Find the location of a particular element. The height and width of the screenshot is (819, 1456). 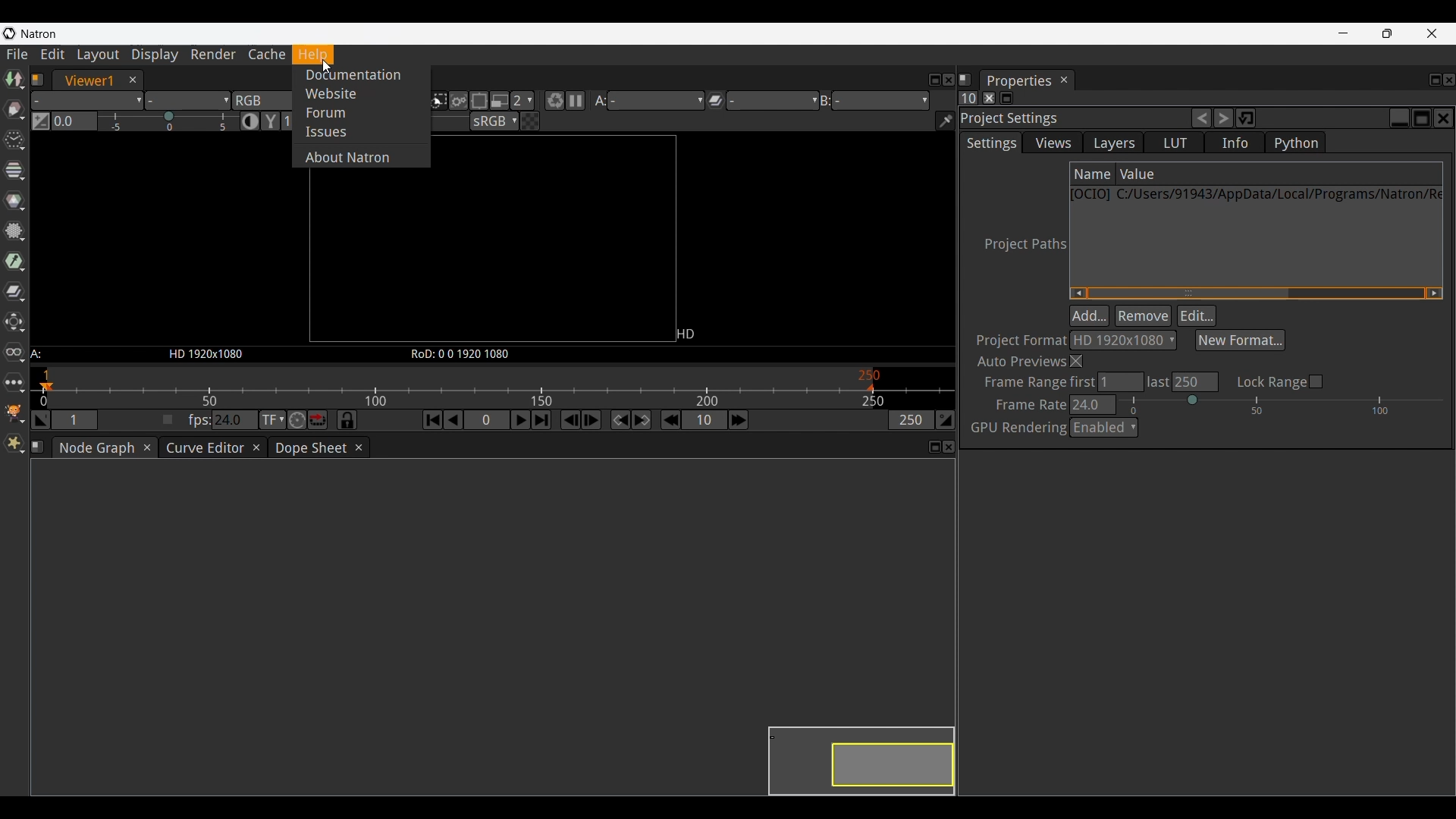

Settings is located at coordinates (990, 143).